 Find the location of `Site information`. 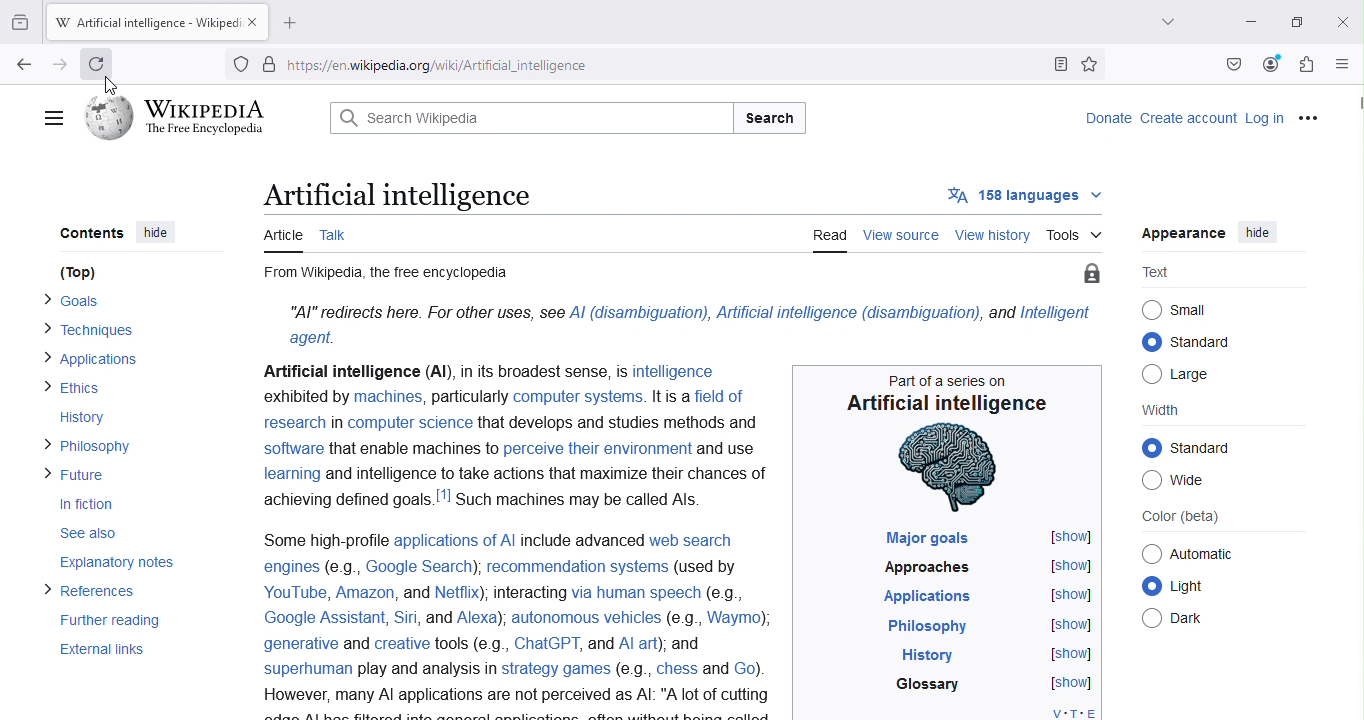

Site information is located at coordinates (266, 65).